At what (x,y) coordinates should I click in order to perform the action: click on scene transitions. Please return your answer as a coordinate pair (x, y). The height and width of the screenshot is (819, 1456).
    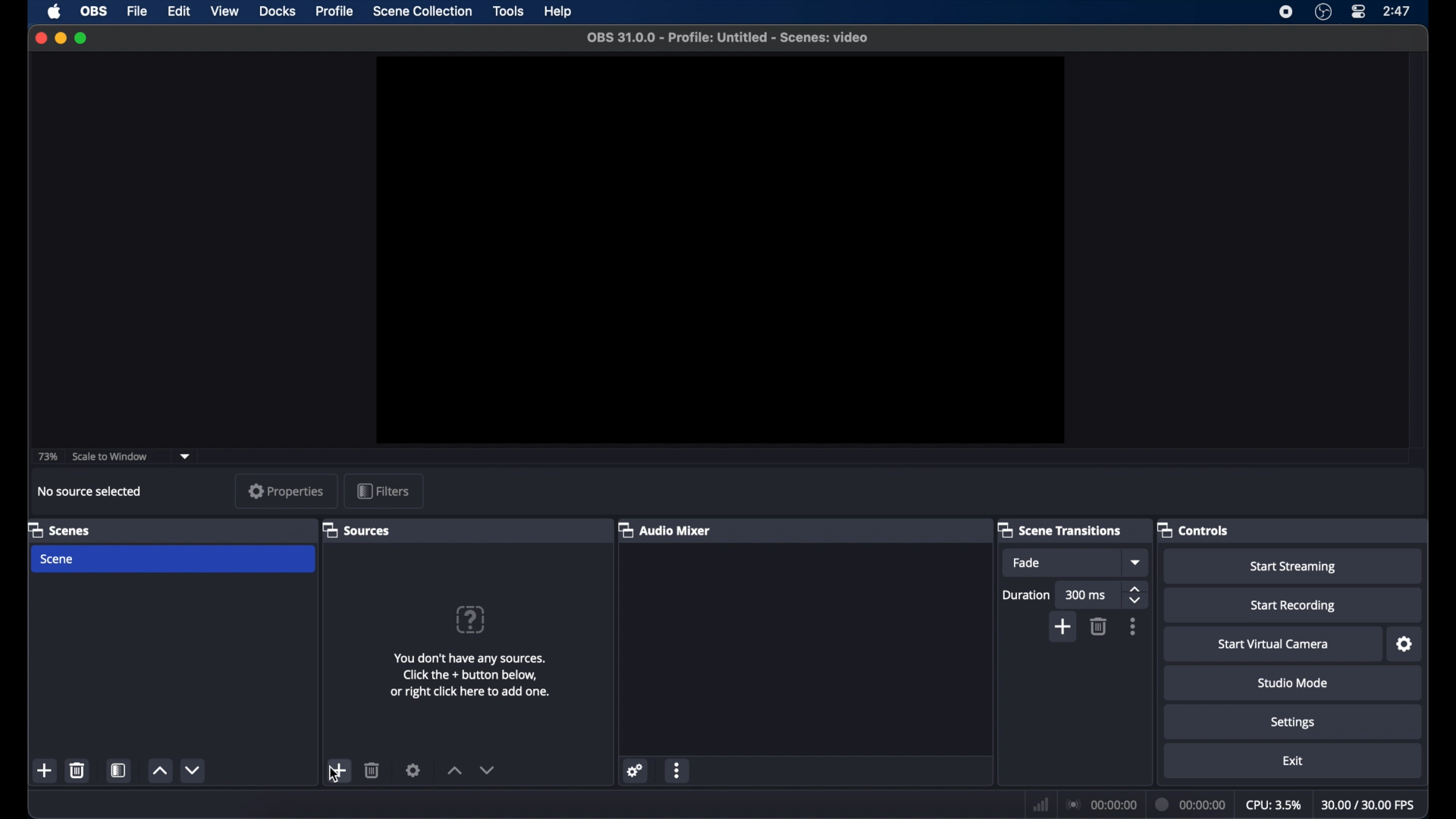
    Looking at the image, I should click on (1059, 529).